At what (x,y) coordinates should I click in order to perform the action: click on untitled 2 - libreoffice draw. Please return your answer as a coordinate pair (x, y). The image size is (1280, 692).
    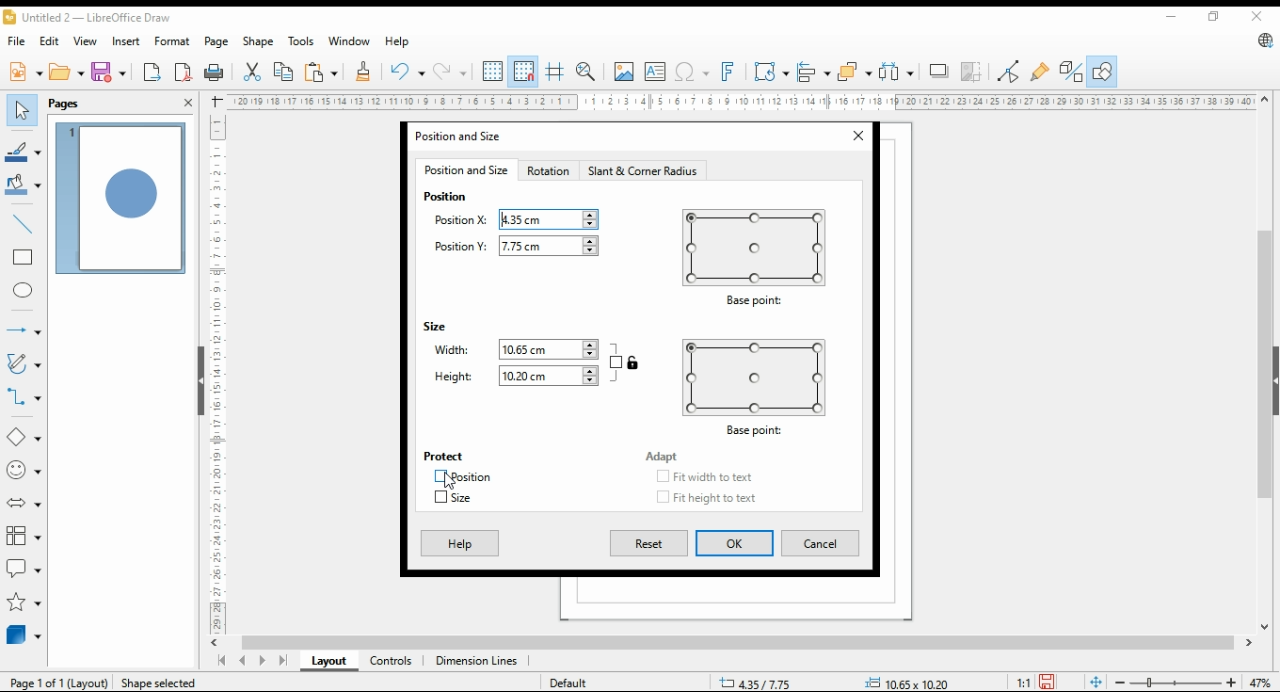
    Looking at the image, I should click on (94, 19).